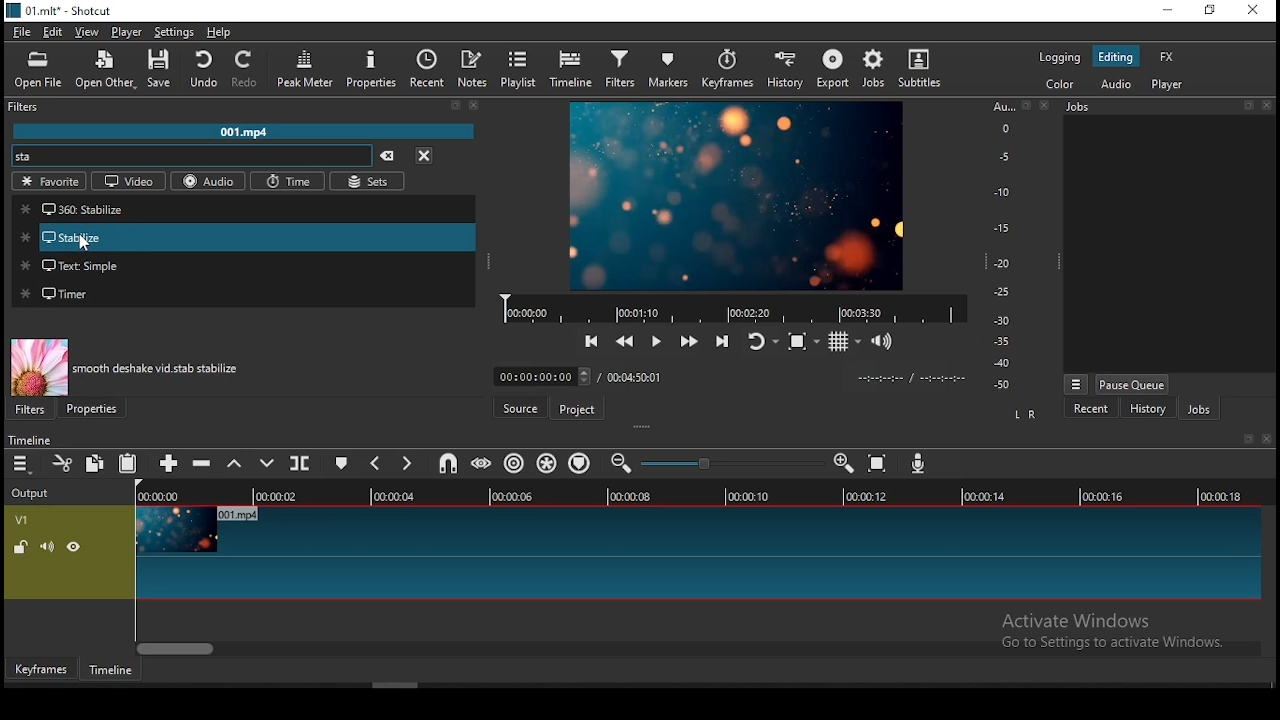 Image resolution: width=1280 pixels, height=720 pixels. I want to click on close menu, so click(472, 105).